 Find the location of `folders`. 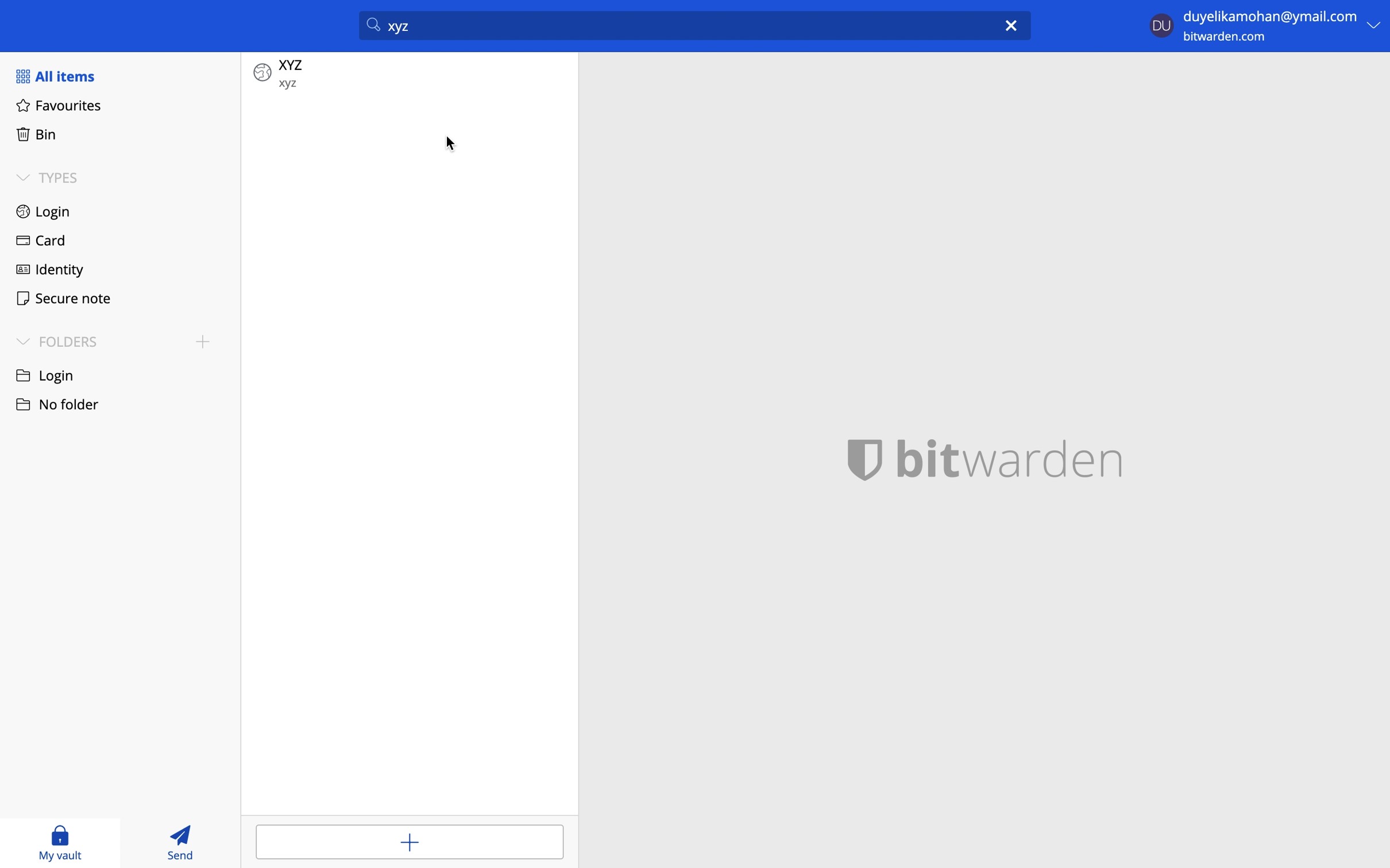

folders is located at coordinates (58, 341).